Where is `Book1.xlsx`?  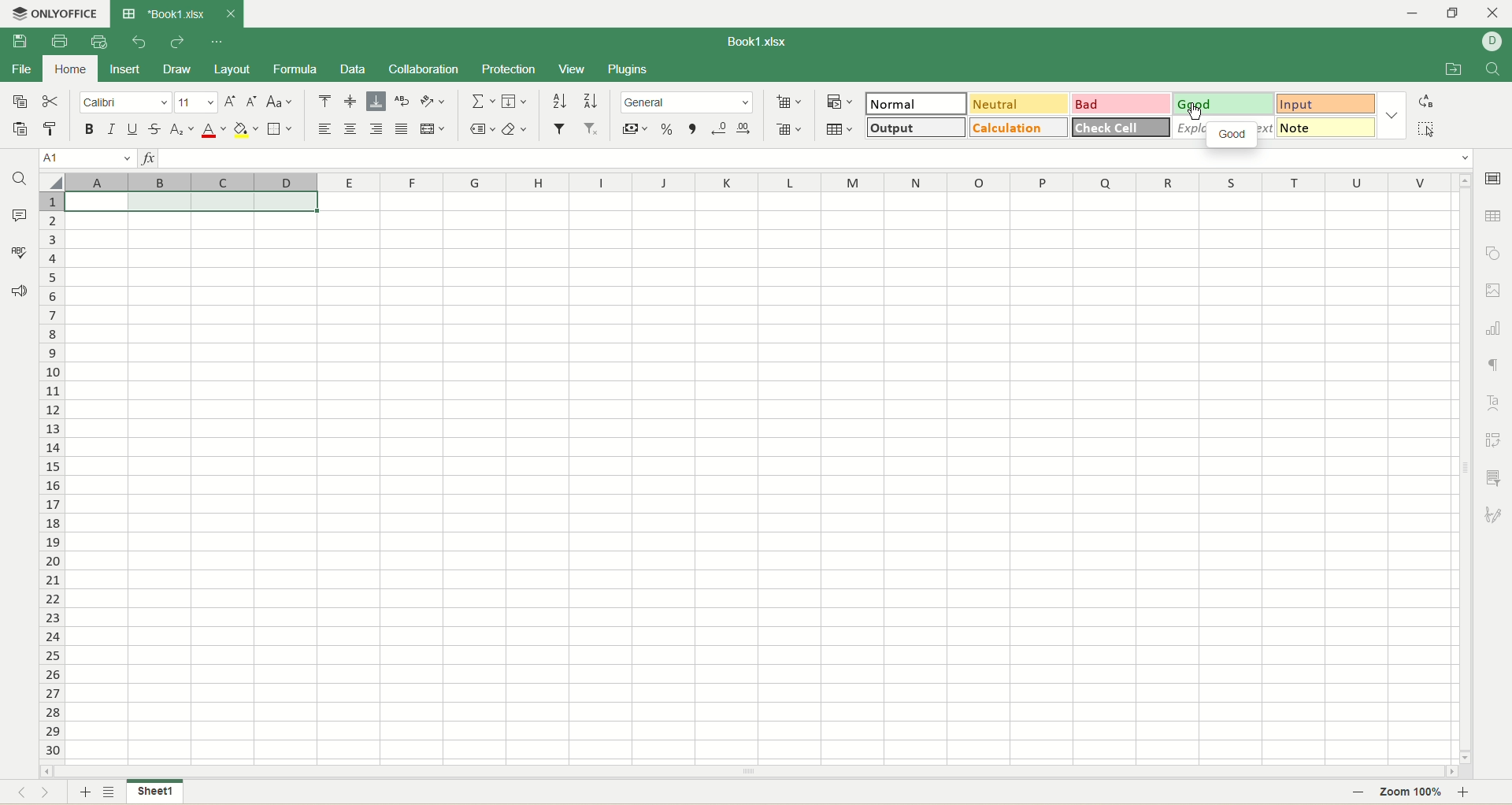 Book1.xlsx is located at coordinates (163, 14).